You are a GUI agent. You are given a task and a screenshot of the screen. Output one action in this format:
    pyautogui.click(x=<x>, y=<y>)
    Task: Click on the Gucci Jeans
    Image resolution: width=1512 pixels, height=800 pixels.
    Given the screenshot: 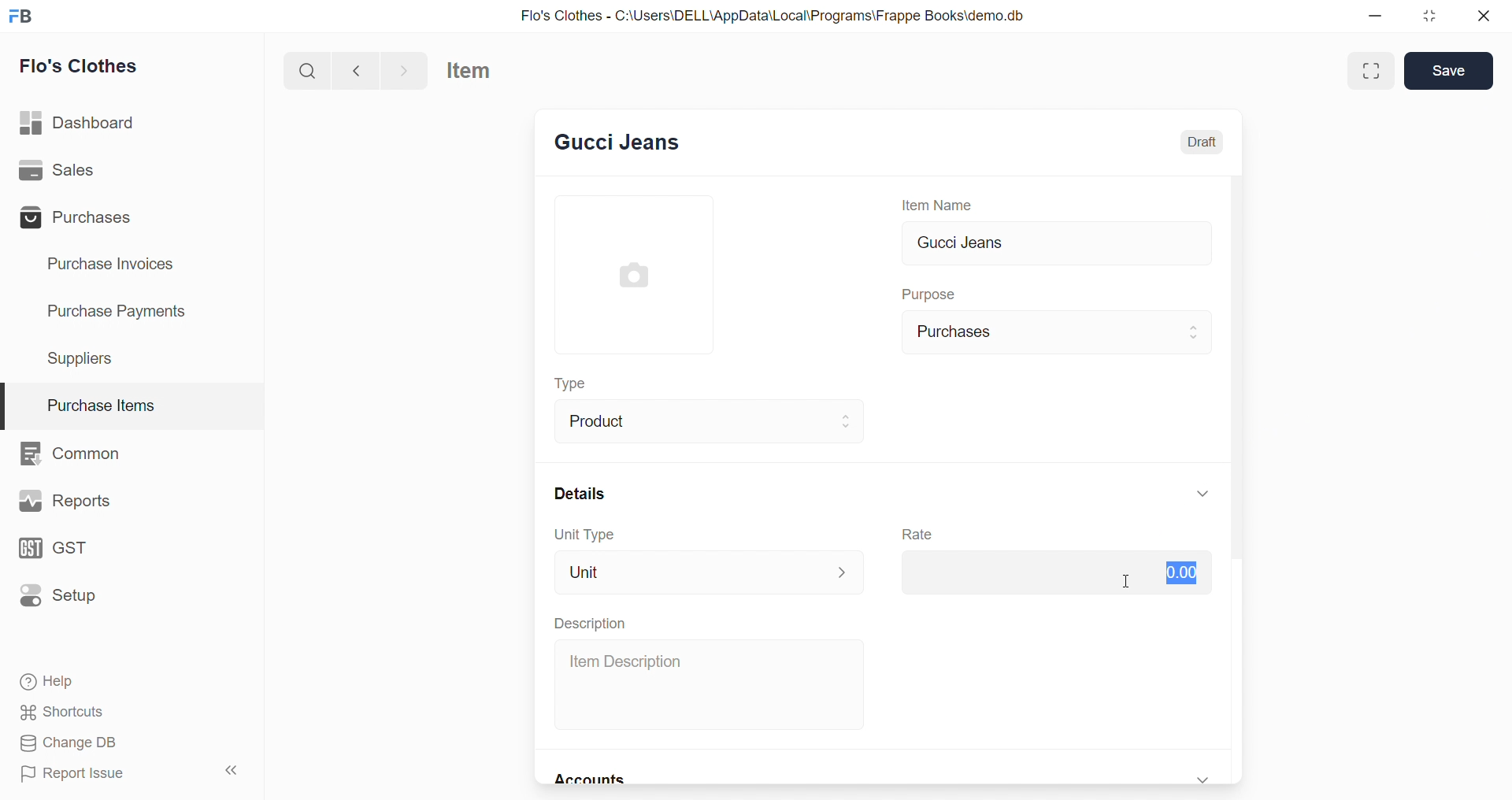 What is the action you would take?
    pyautogui.click(x=1058, y=245)
    